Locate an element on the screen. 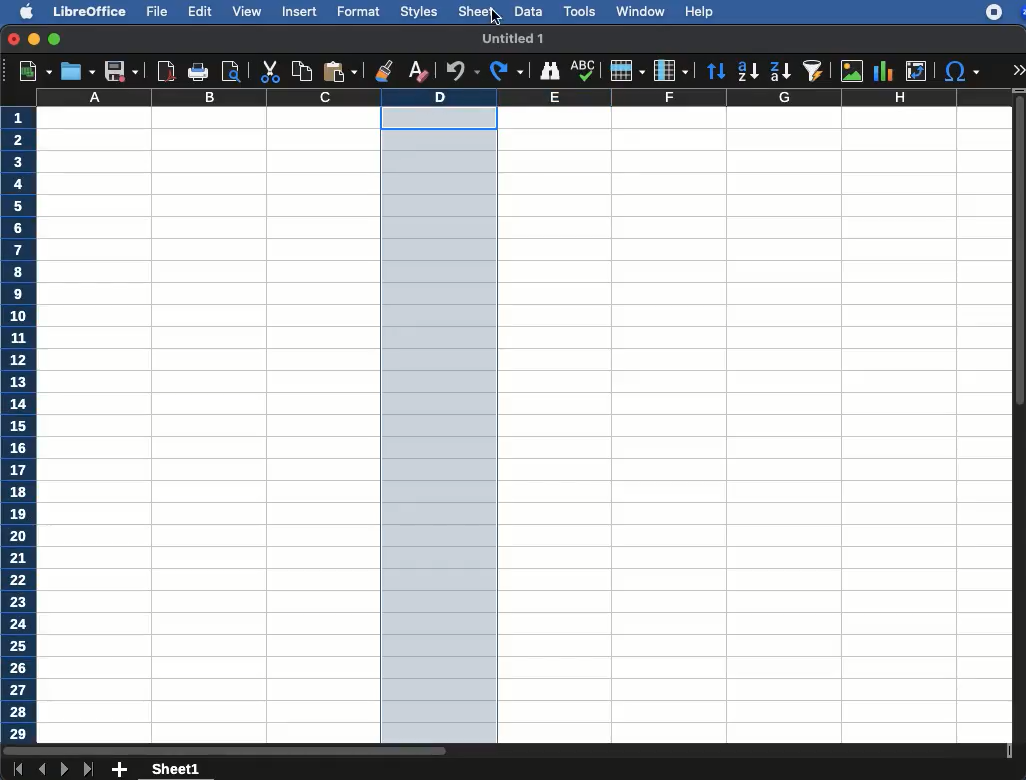 The image size is (1026, 780). styles is located at coordinates (418, 11).